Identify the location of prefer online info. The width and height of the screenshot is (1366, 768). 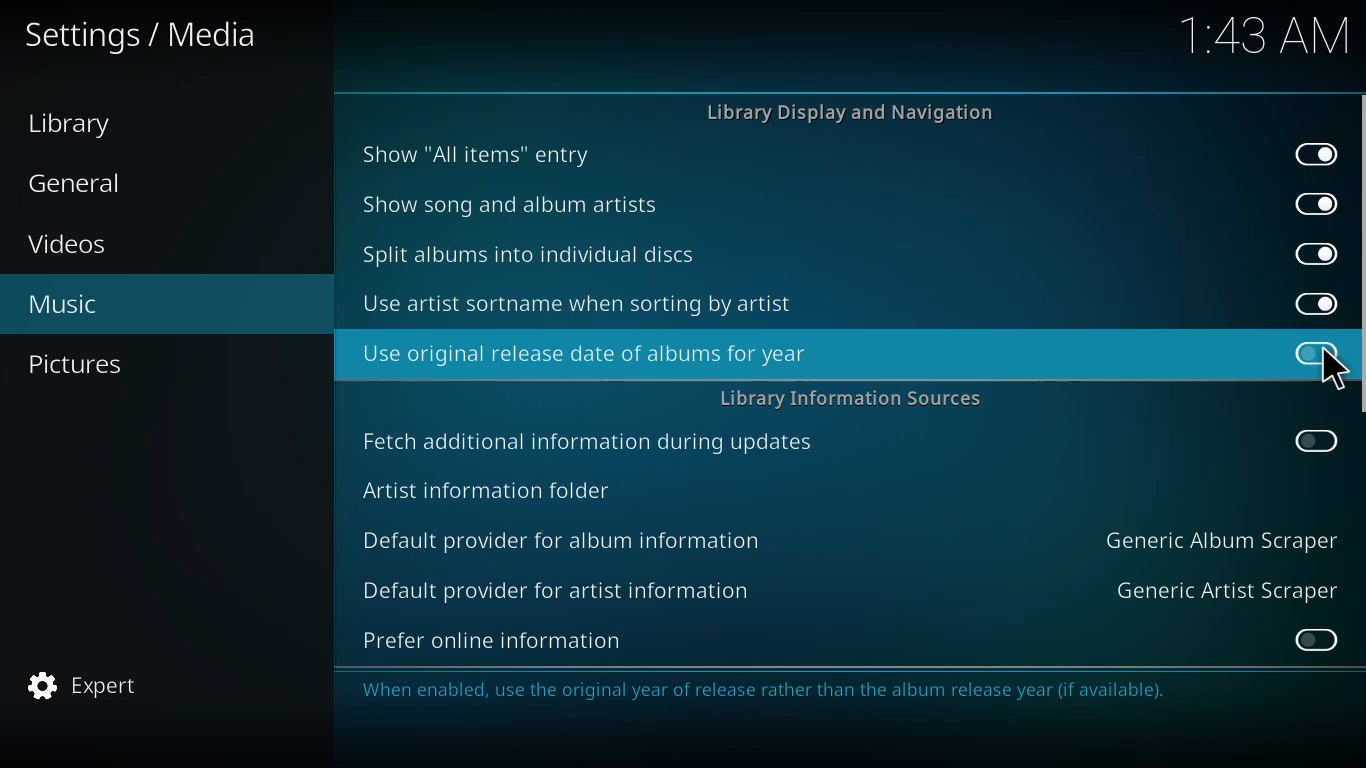
(493, 640).